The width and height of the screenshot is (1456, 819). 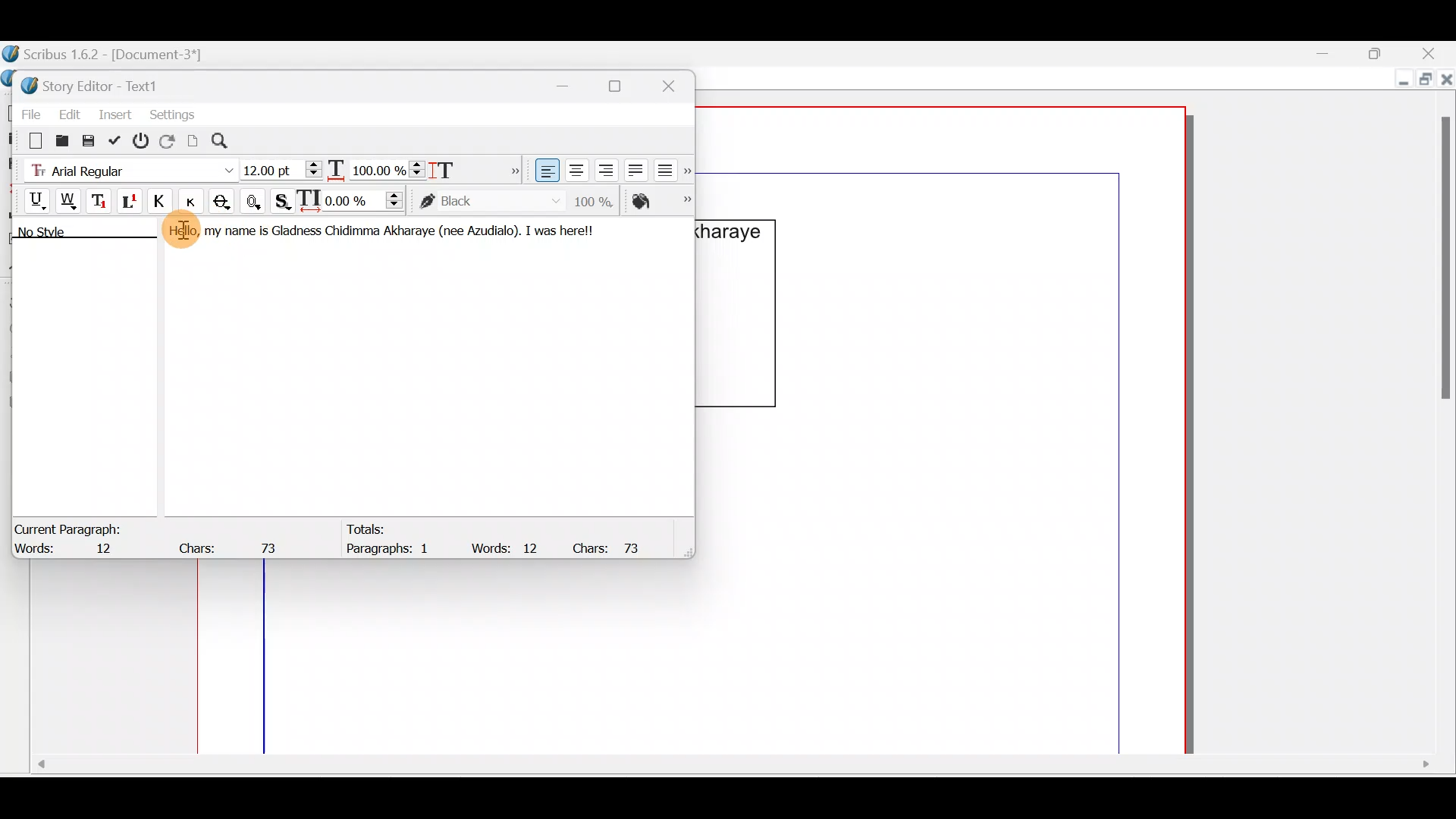 What do you see at coordinates (118, 138) in the screenshot?
I see `Update text frame and exit` at bounding box center [118, 138].